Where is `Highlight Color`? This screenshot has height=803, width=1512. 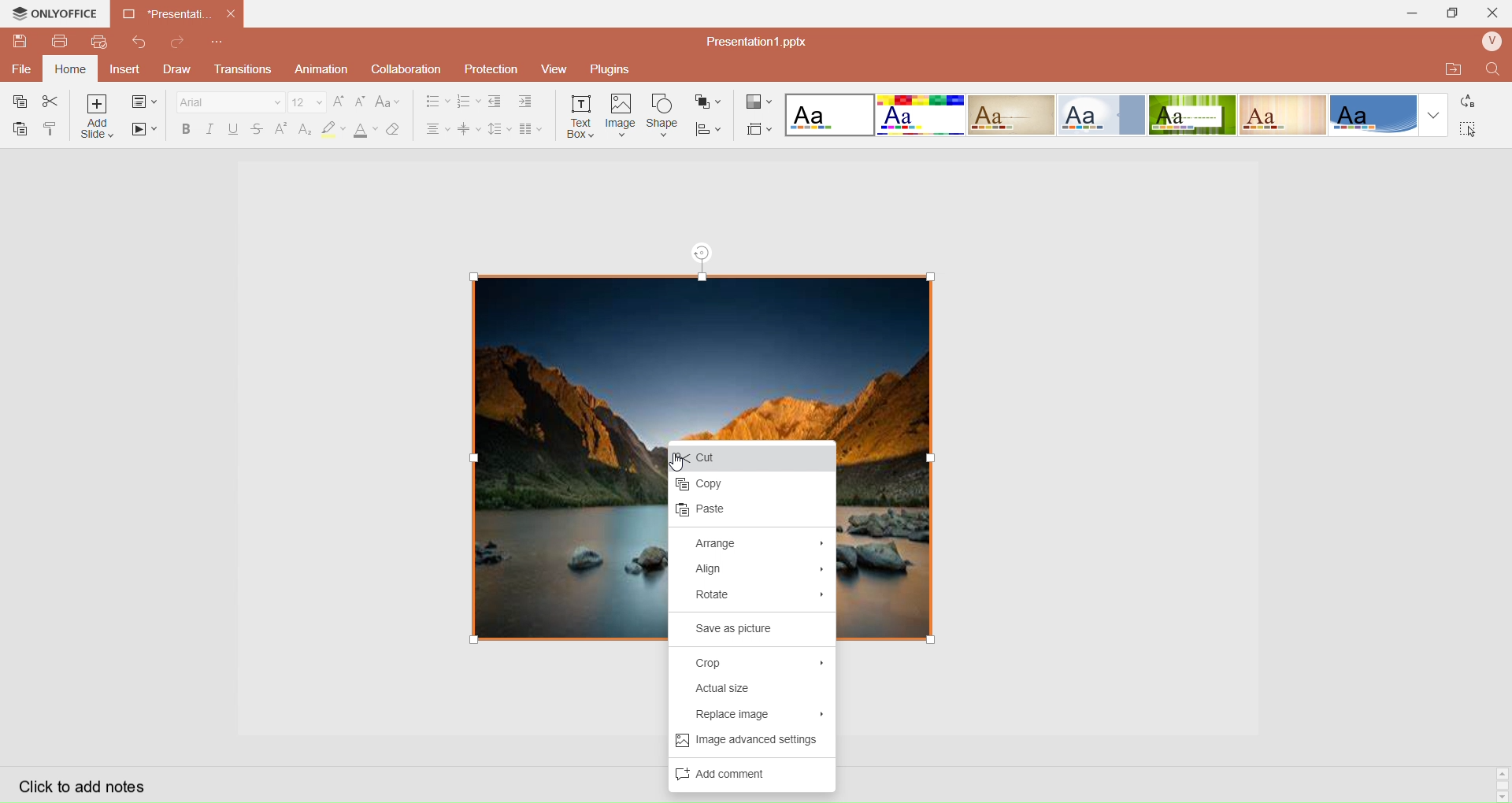 Highlight Color is located at coordinates (335, 130).